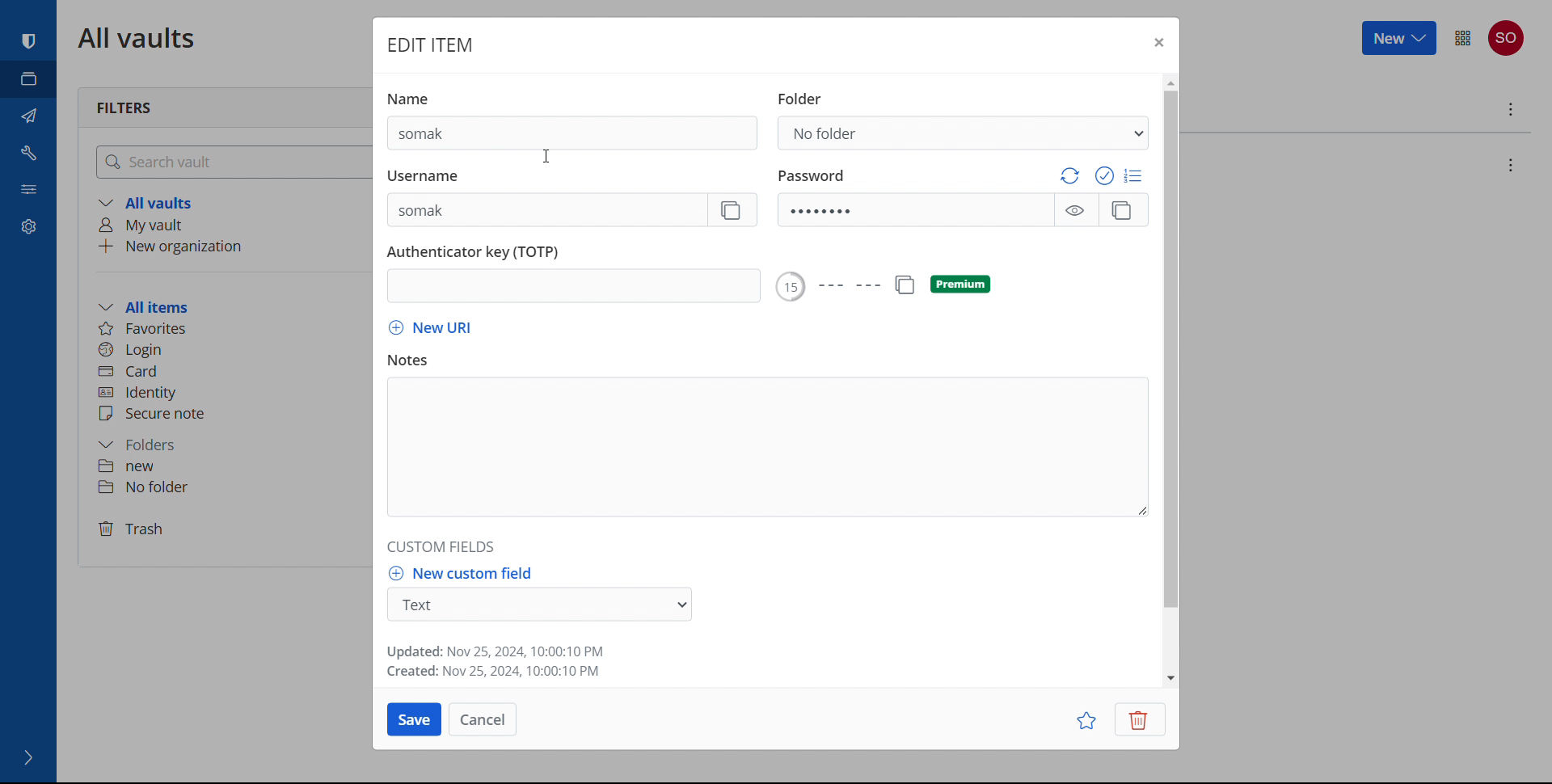 Image resolution: width=1552 pixels, height=784 pixels. I want to click on copy password, so click(1122, 210).